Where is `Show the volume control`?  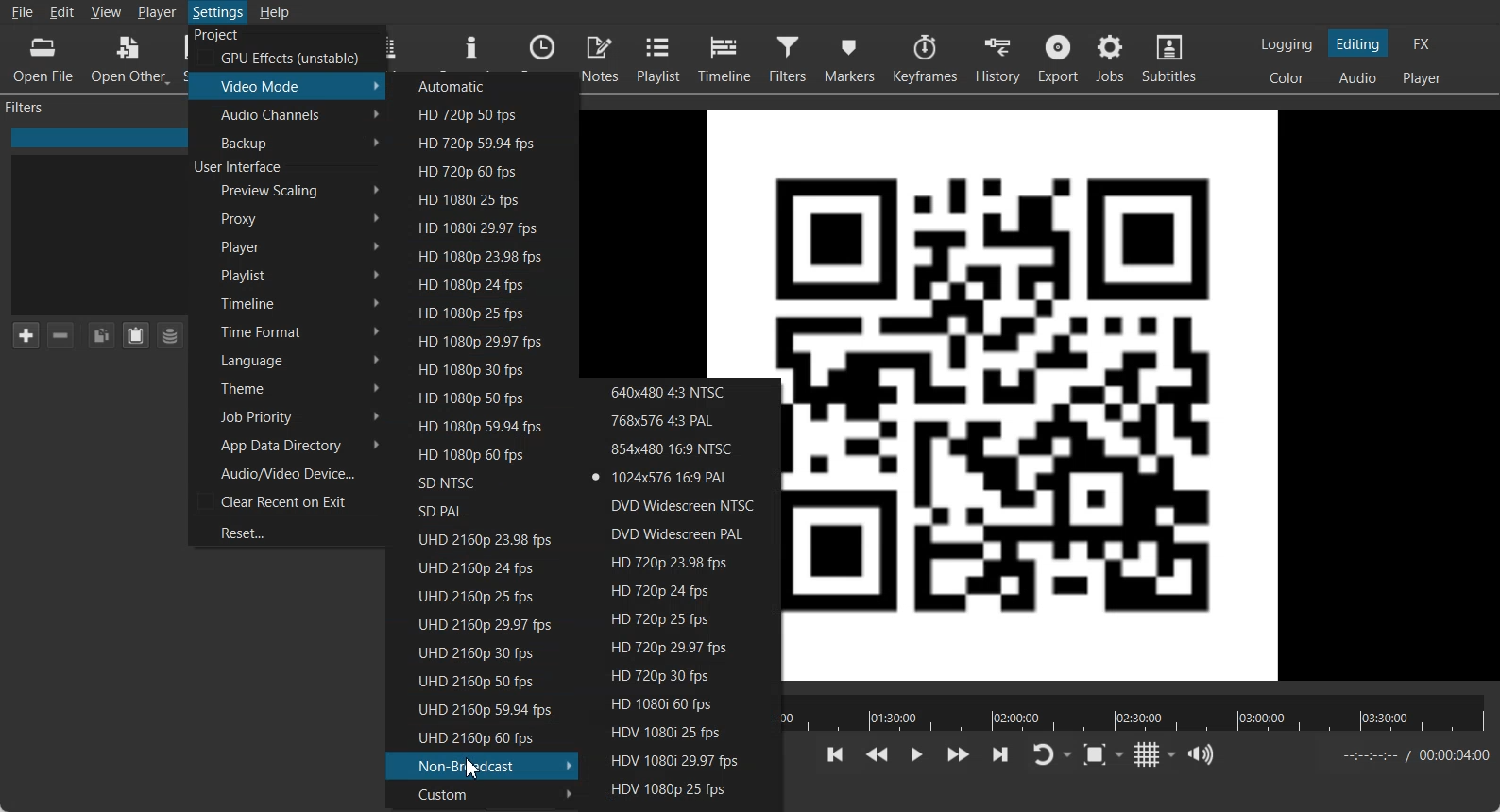
Show the volume control is located at coordinates (1203, 754).